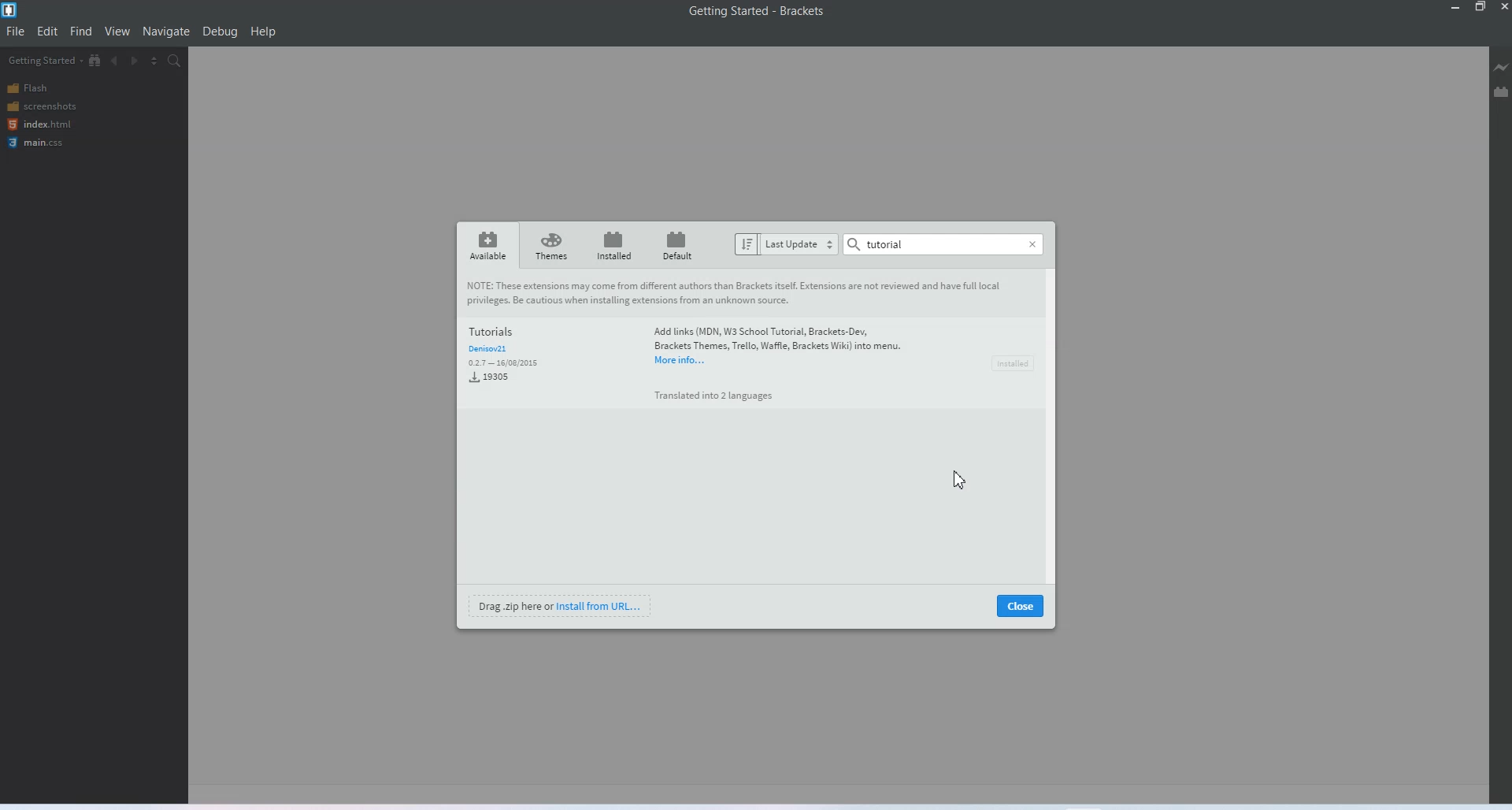 Image resolution: width=1512 pixels, height=810 pixels. I want to click on Installed, so click(1012, 363).